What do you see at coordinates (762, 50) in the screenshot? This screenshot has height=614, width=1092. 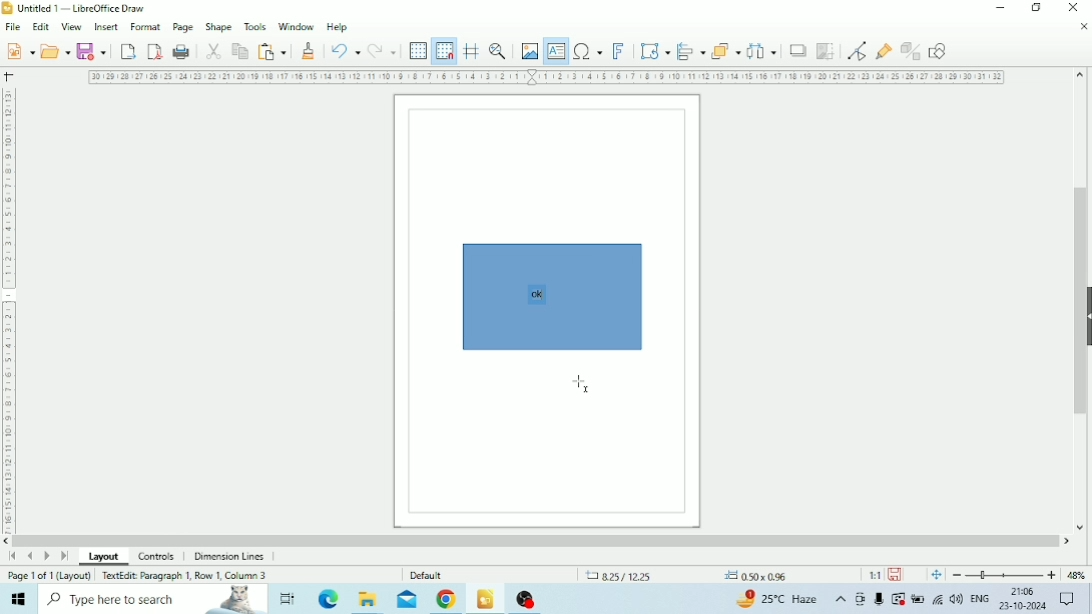 I see `Select at least three objects to distribute` at bounding box center [762, 50].